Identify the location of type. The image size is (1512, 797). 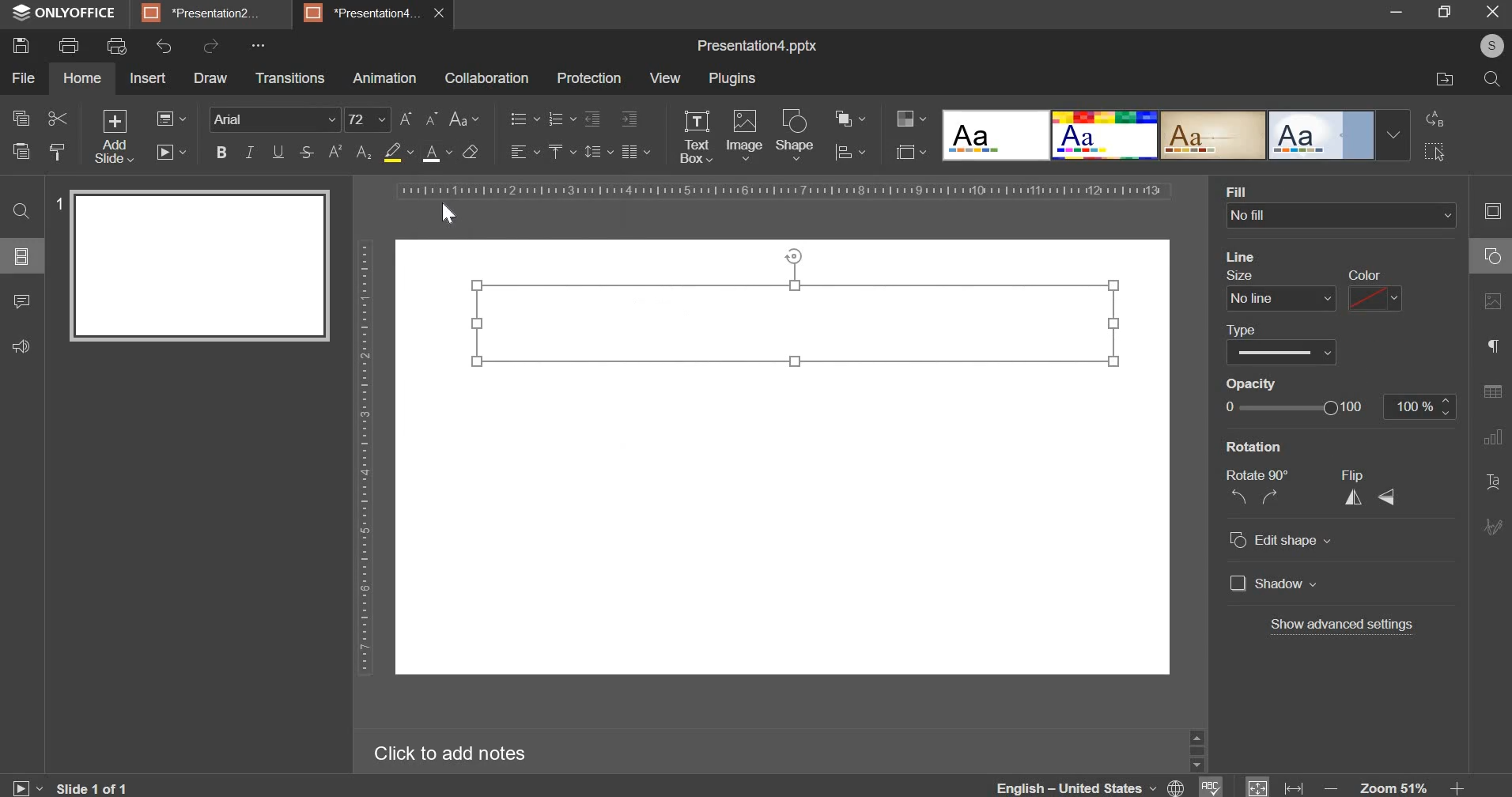
(1280, 342).